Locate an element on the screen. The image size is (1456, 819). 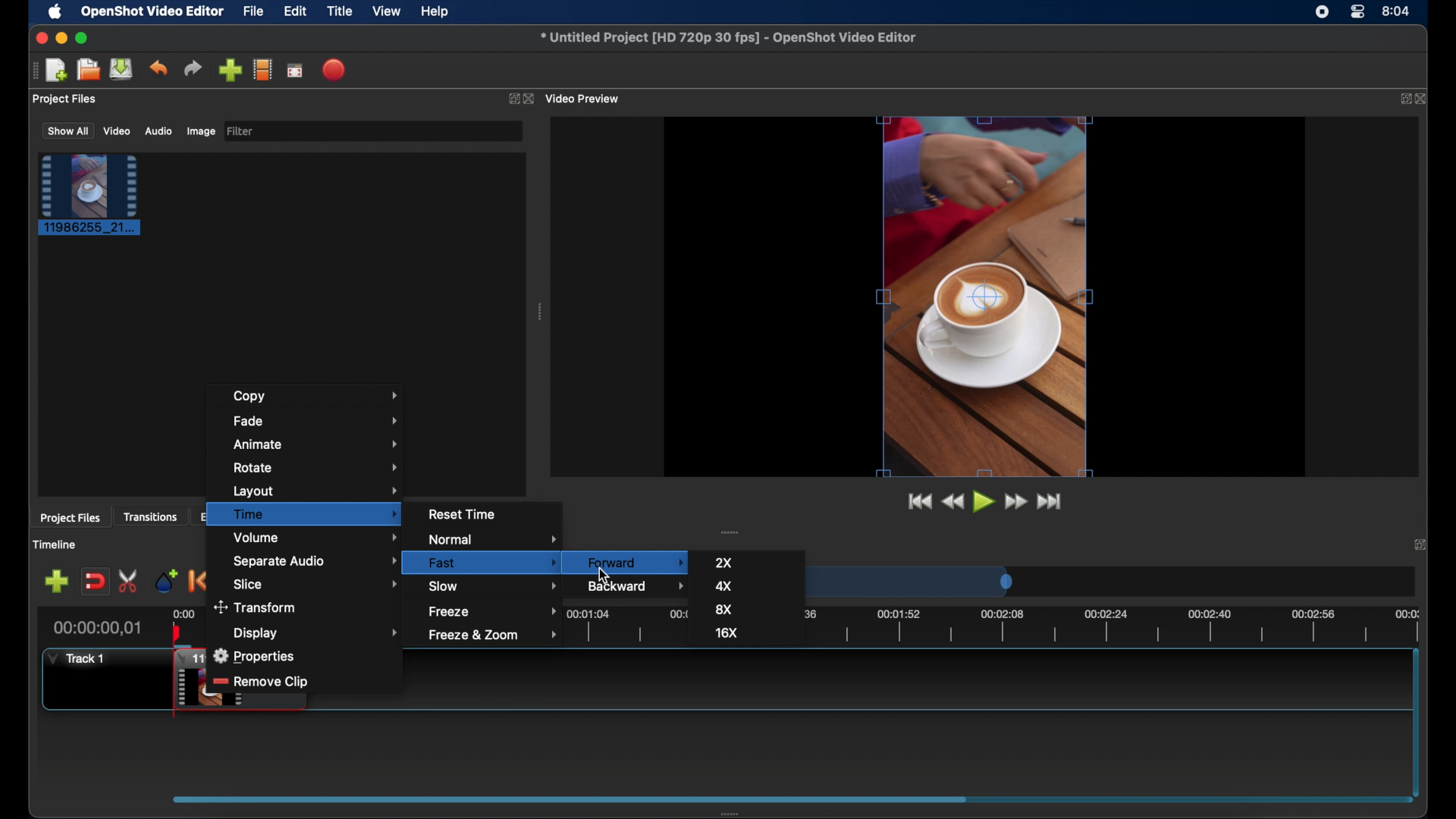
video preview is located at coordinates (585, 98).